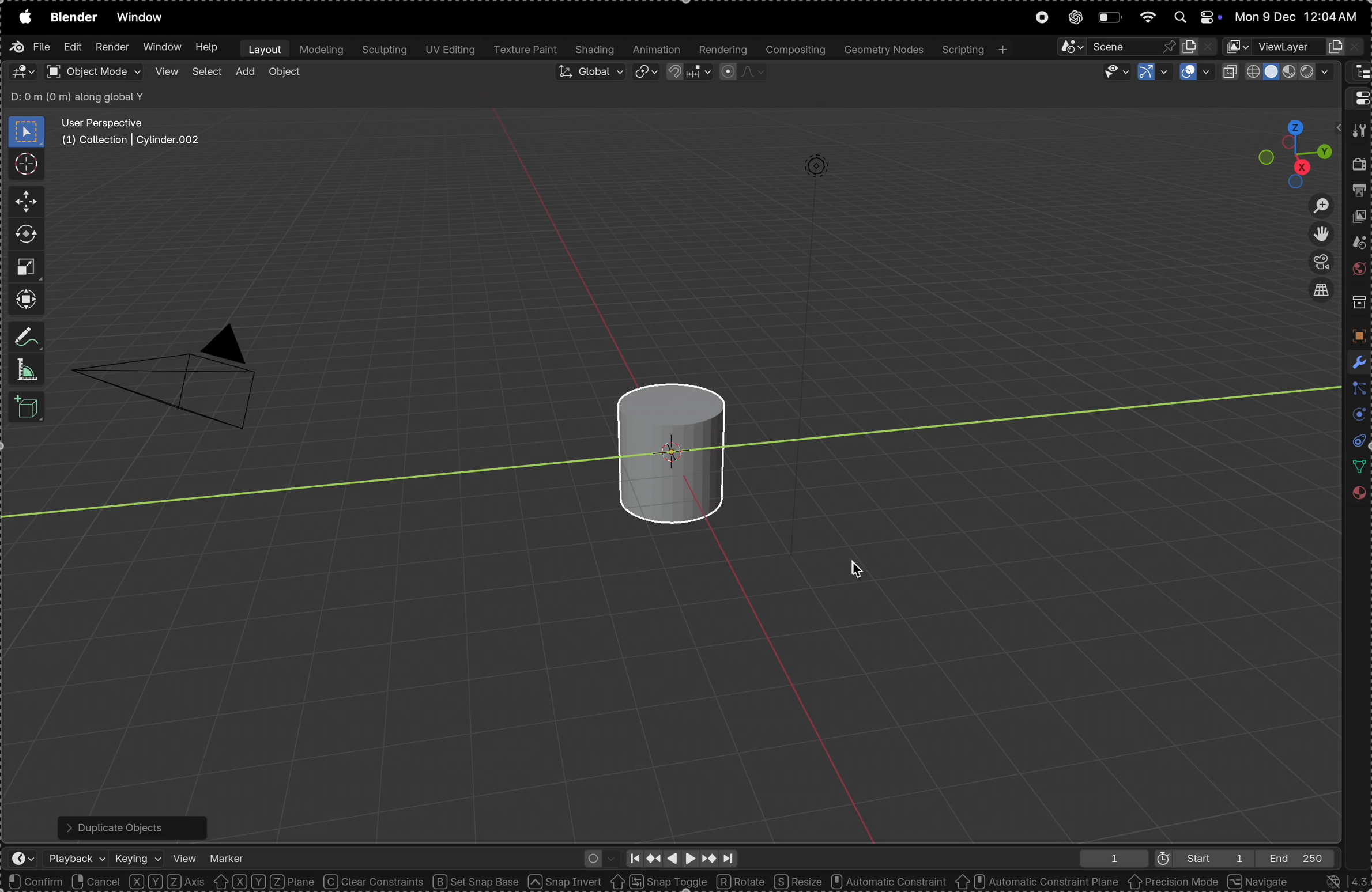 This screenshot has width=1372, height=892. What do you see at coordinates (566, 882) in the screenshot?
I see `snap invert` at bounding box center [566, 882].